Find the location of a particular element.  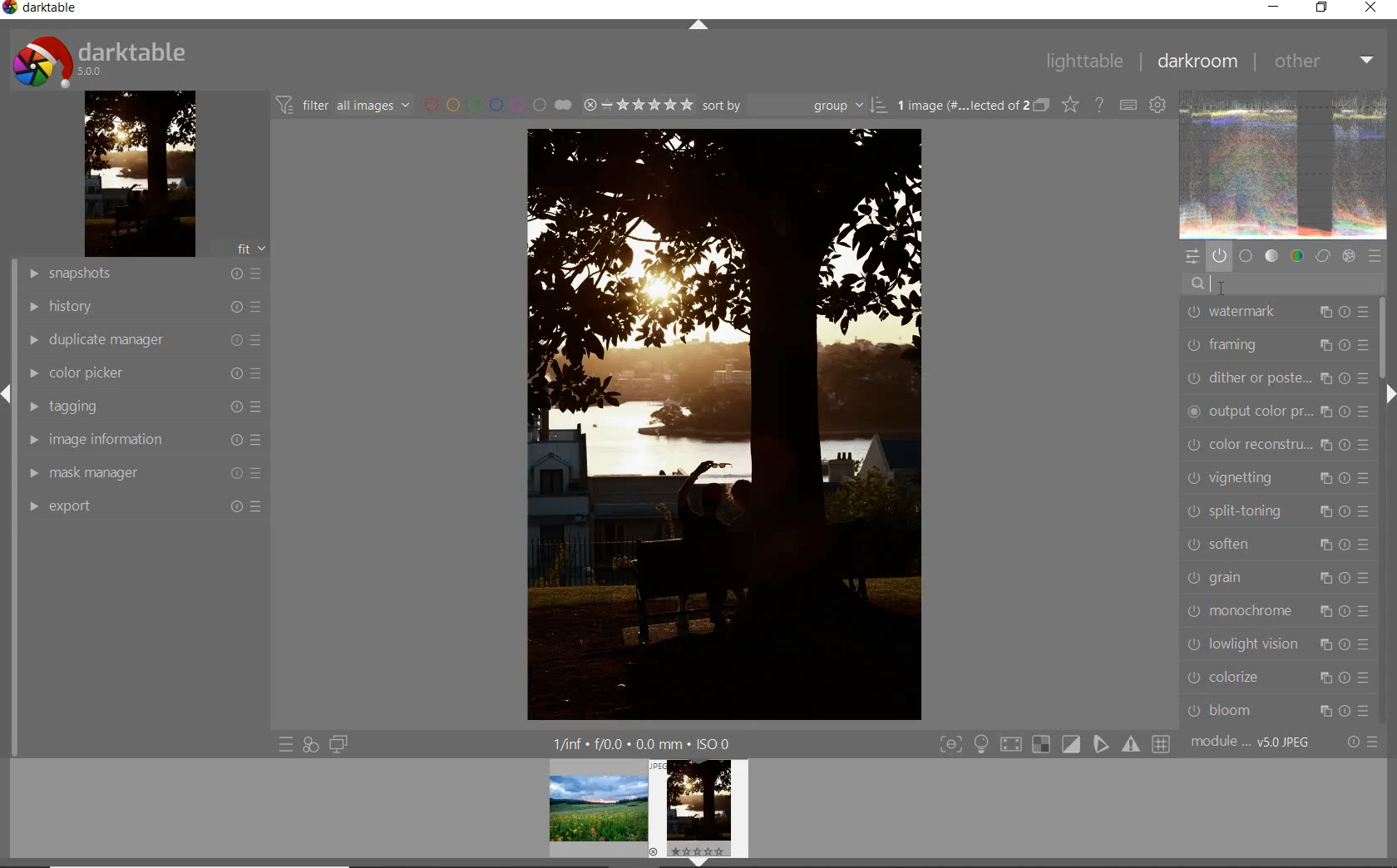

1 image (#.... lected of 2) is located at coordinates (971, 105).